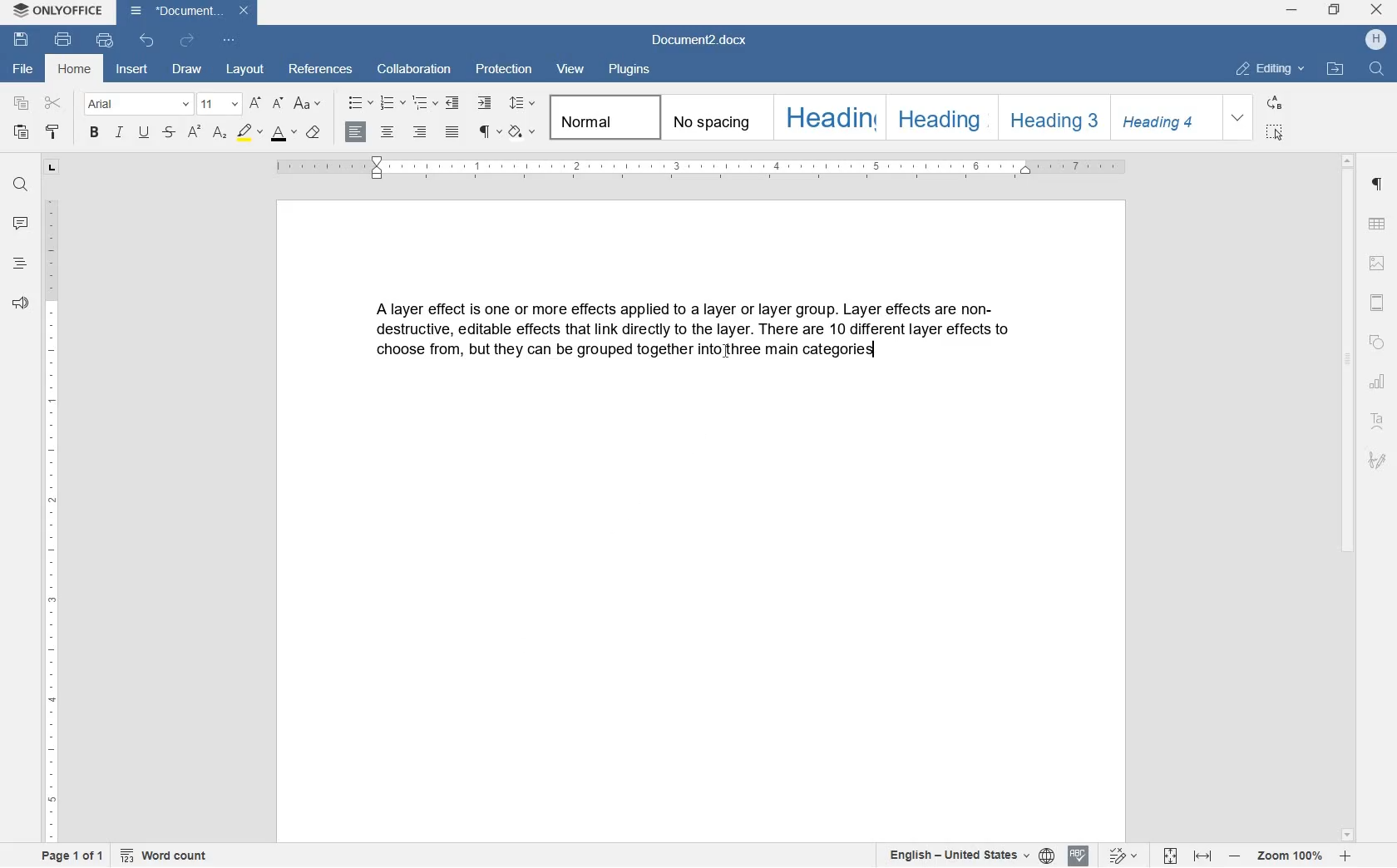 Image resolution: width=1397 pixels, height=868 pixels. What do you see at coordinates (1348, 496) in the screenshot?
I see `scrollbar` at bounding box center [1348, 496].